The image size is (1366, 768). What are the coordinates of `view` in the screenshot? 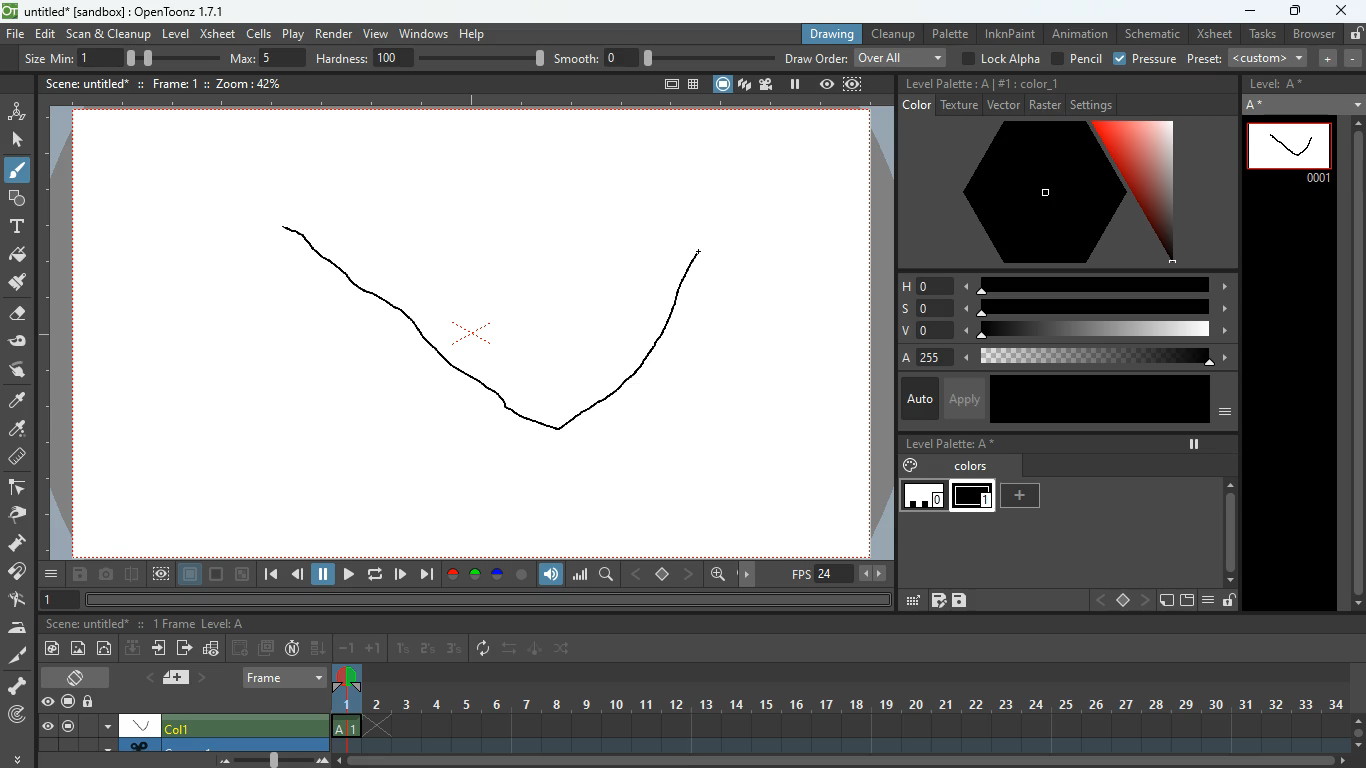 It's located at (47, 726).